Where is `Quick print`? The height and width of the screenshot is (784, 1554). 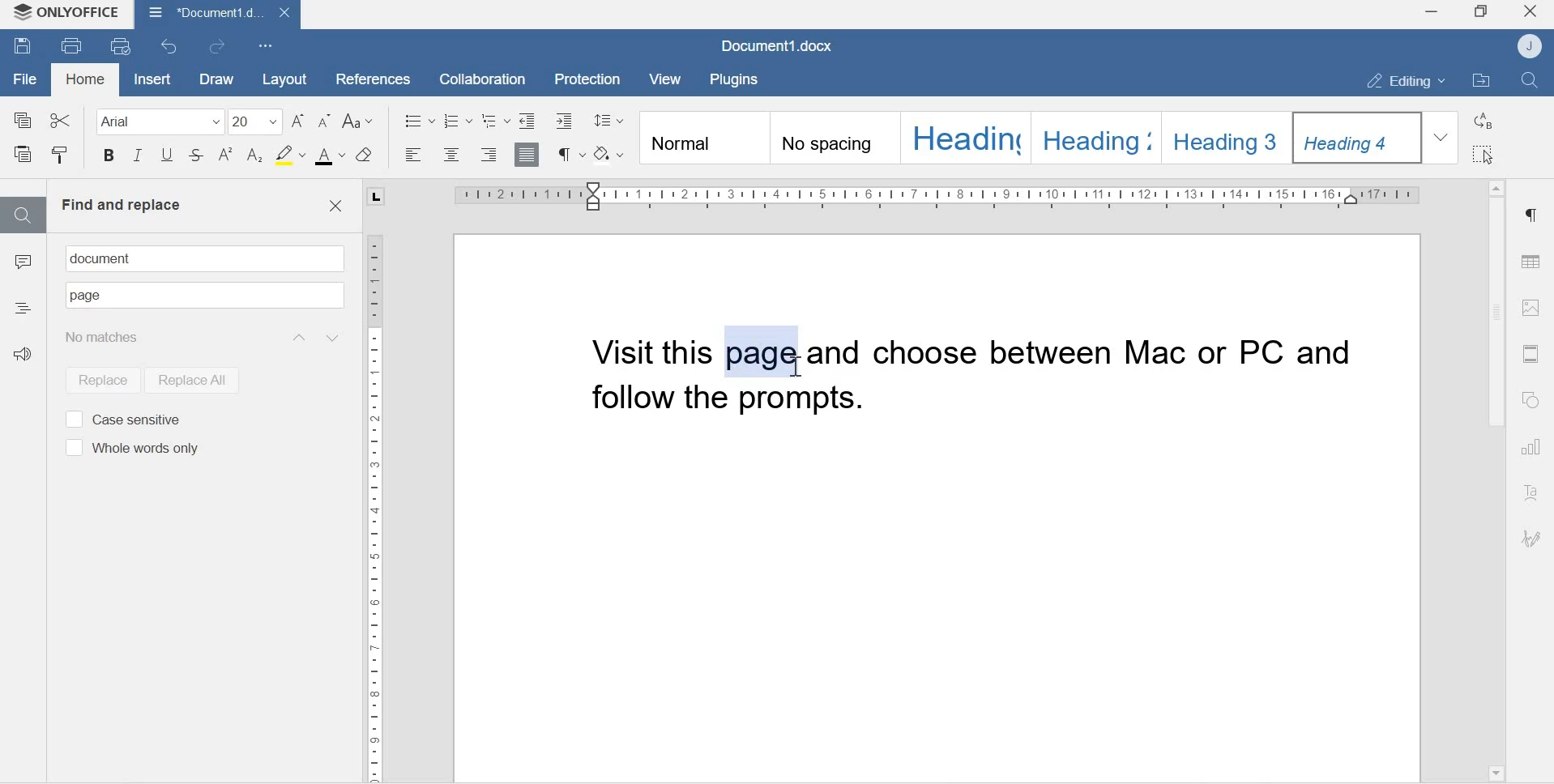 Quick print is located at coordinates (122, 47).